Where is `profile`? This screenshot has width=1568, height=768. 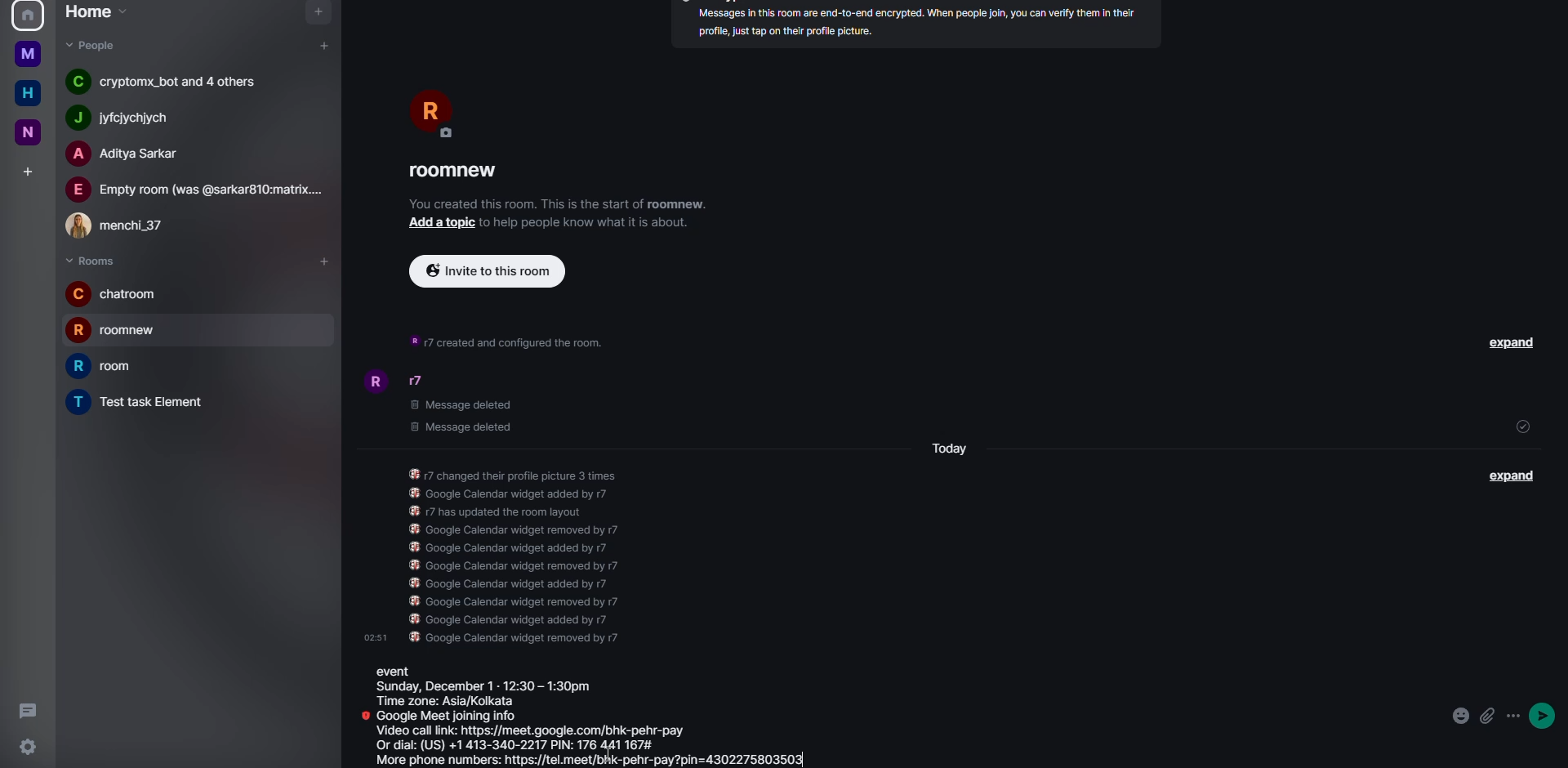
profile is located at coordinates (367, 379).